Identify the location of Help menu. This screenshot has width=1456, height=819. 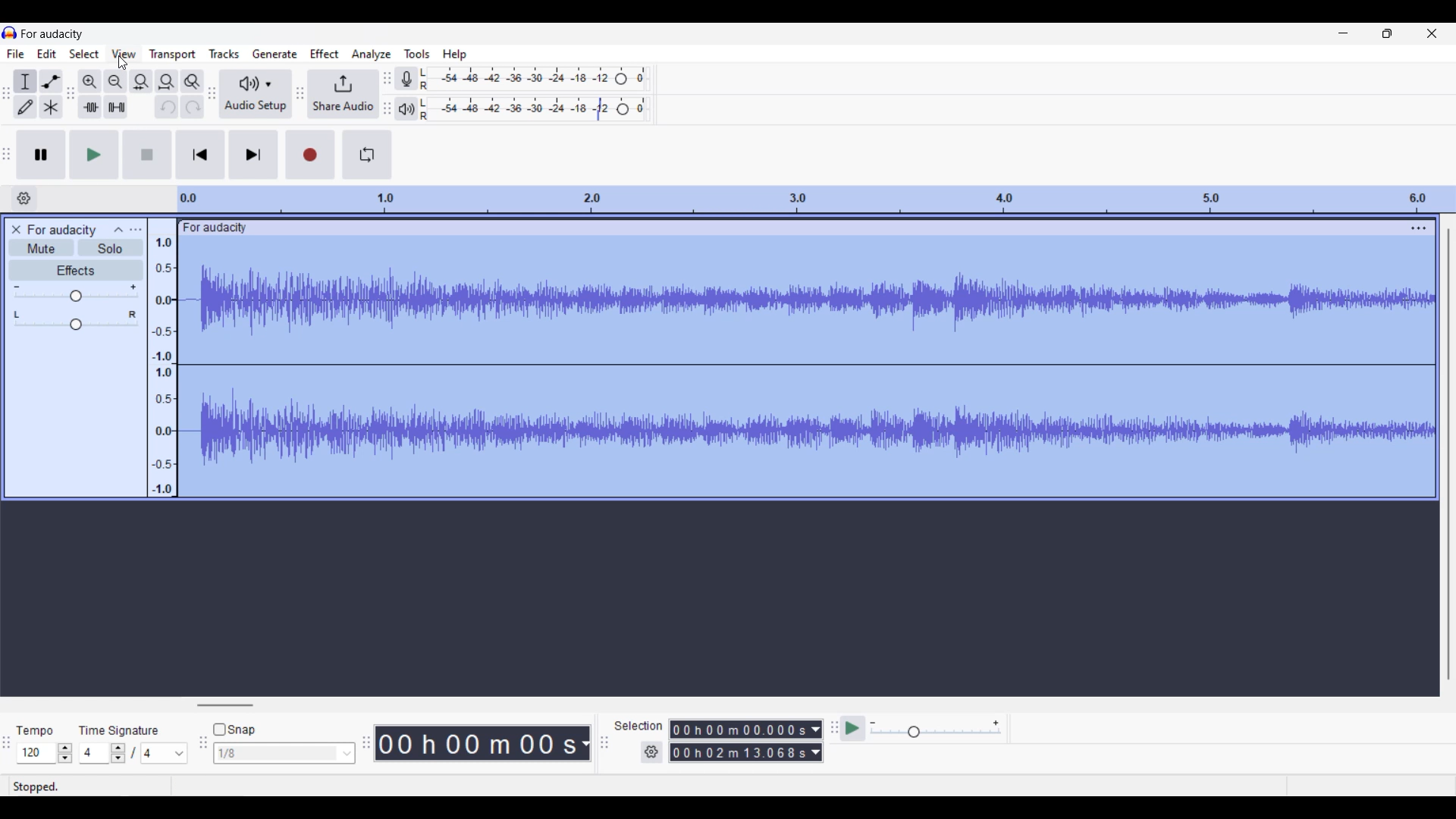
(455, 55).